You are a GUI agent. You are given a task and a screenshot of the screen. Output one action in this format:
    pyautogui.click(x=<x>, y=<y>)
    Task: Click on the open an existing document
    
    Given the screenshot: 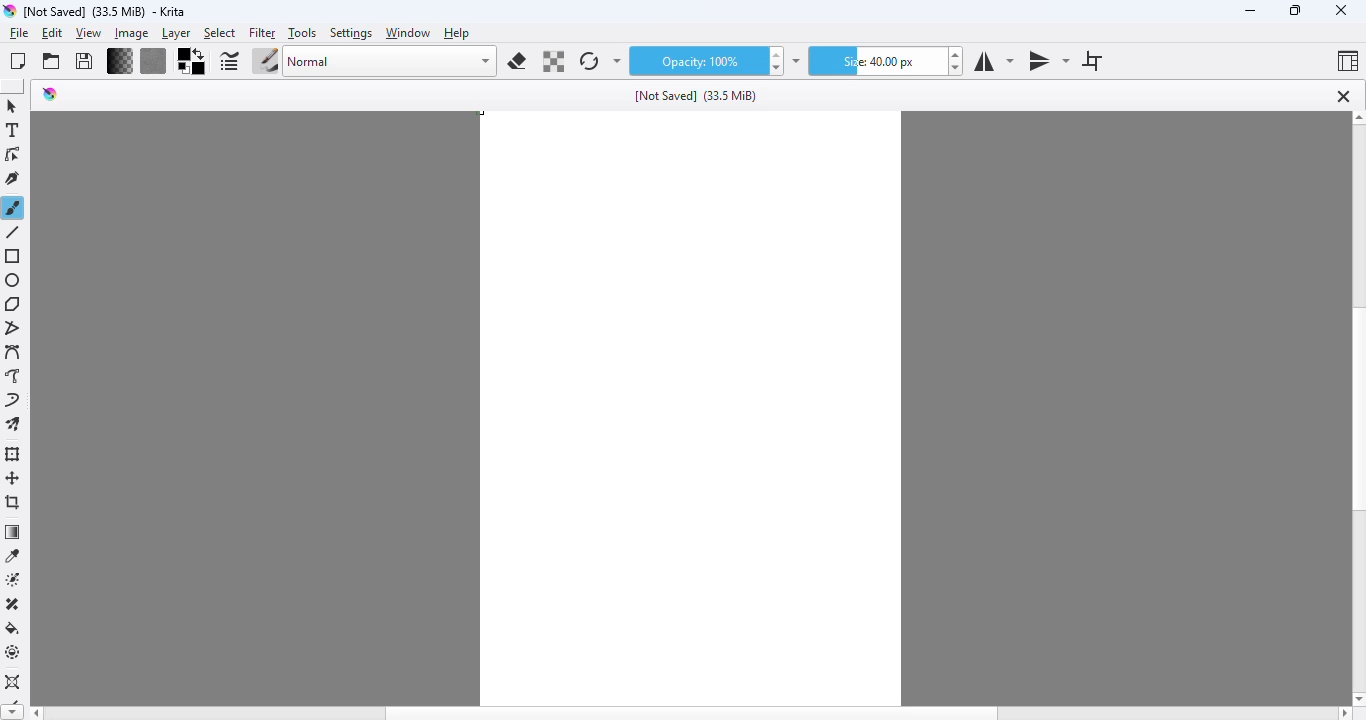 What is the action you would take?
    pyautogui.click(x=53, y=62)
    